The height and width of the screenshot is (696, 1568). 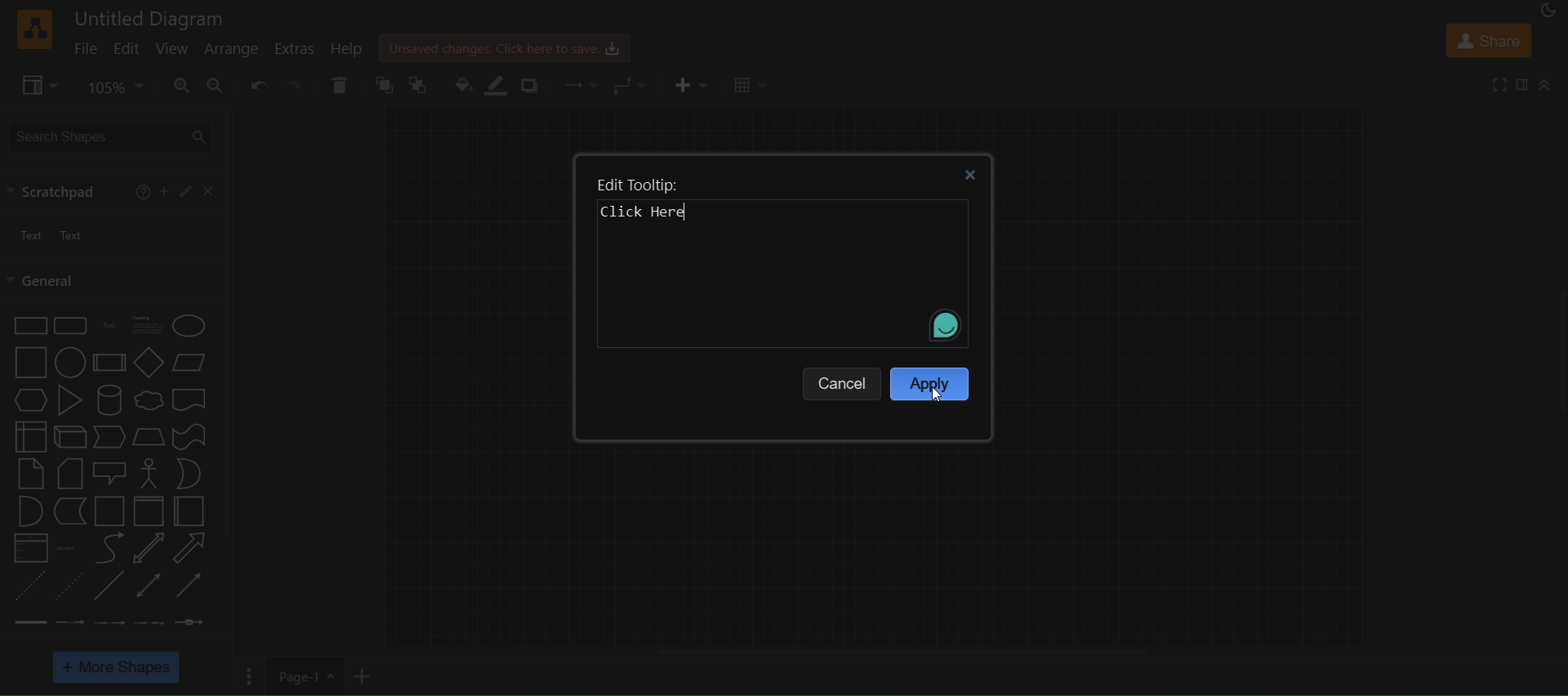 What do you see at coordinates (128, 51) in the screenshot?
I see `edit` at bounding box center [128, 51].